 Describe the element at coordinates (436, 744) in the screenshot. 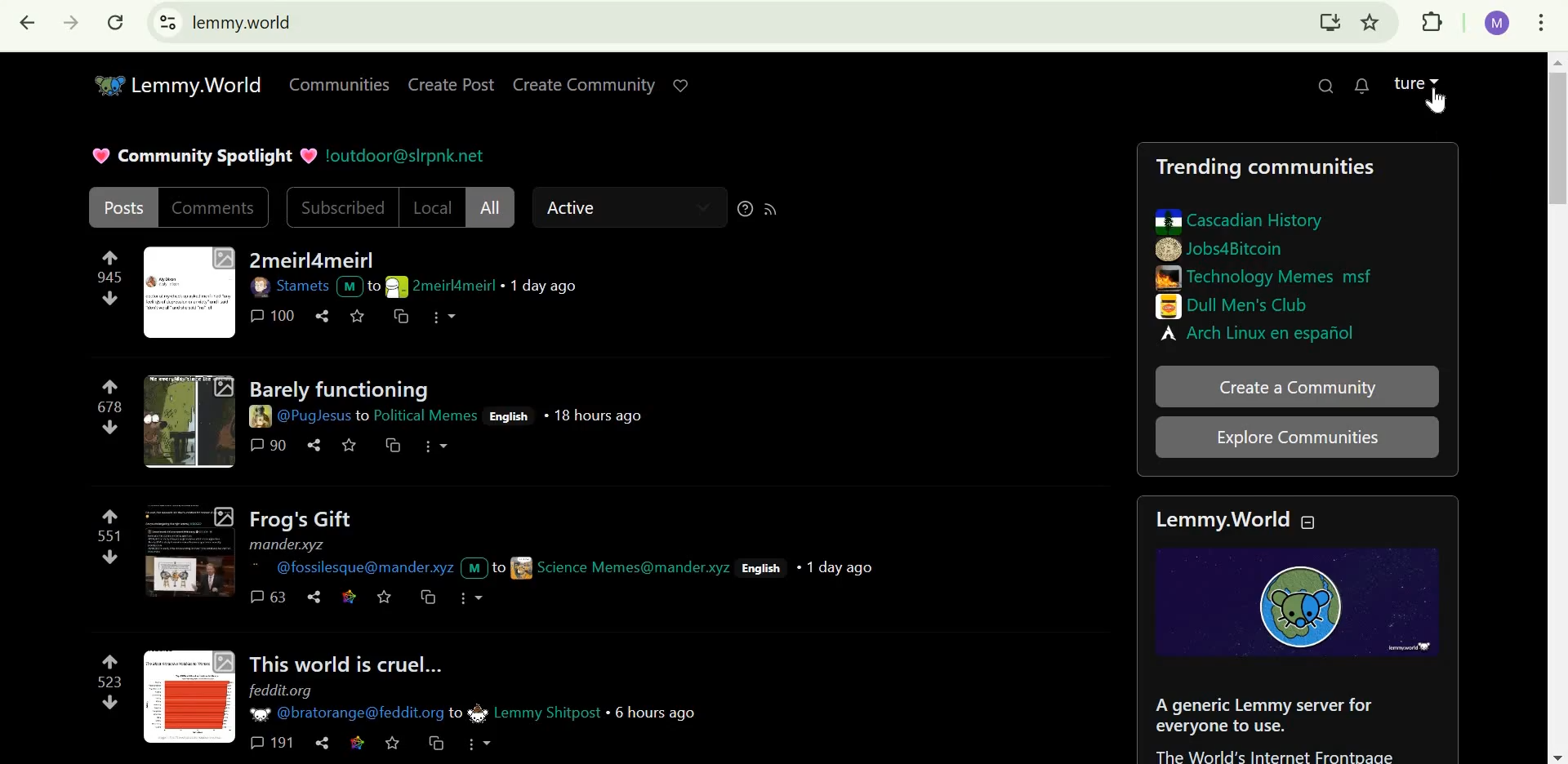

I see `cross-post` at that location.